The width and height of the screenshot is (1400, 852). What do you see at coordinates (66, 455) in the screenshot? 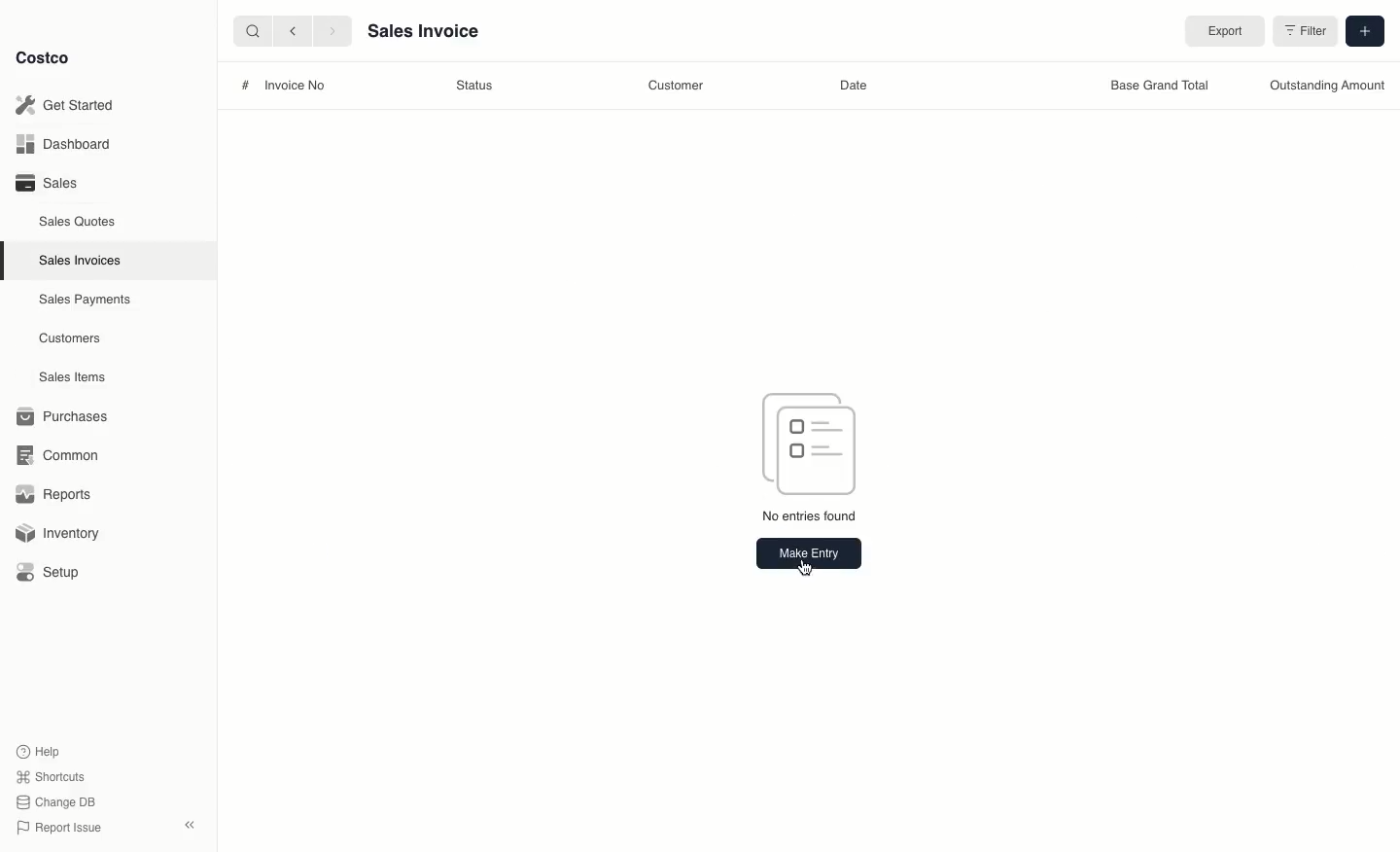
I see `Common` at bounding box center [66, 455].